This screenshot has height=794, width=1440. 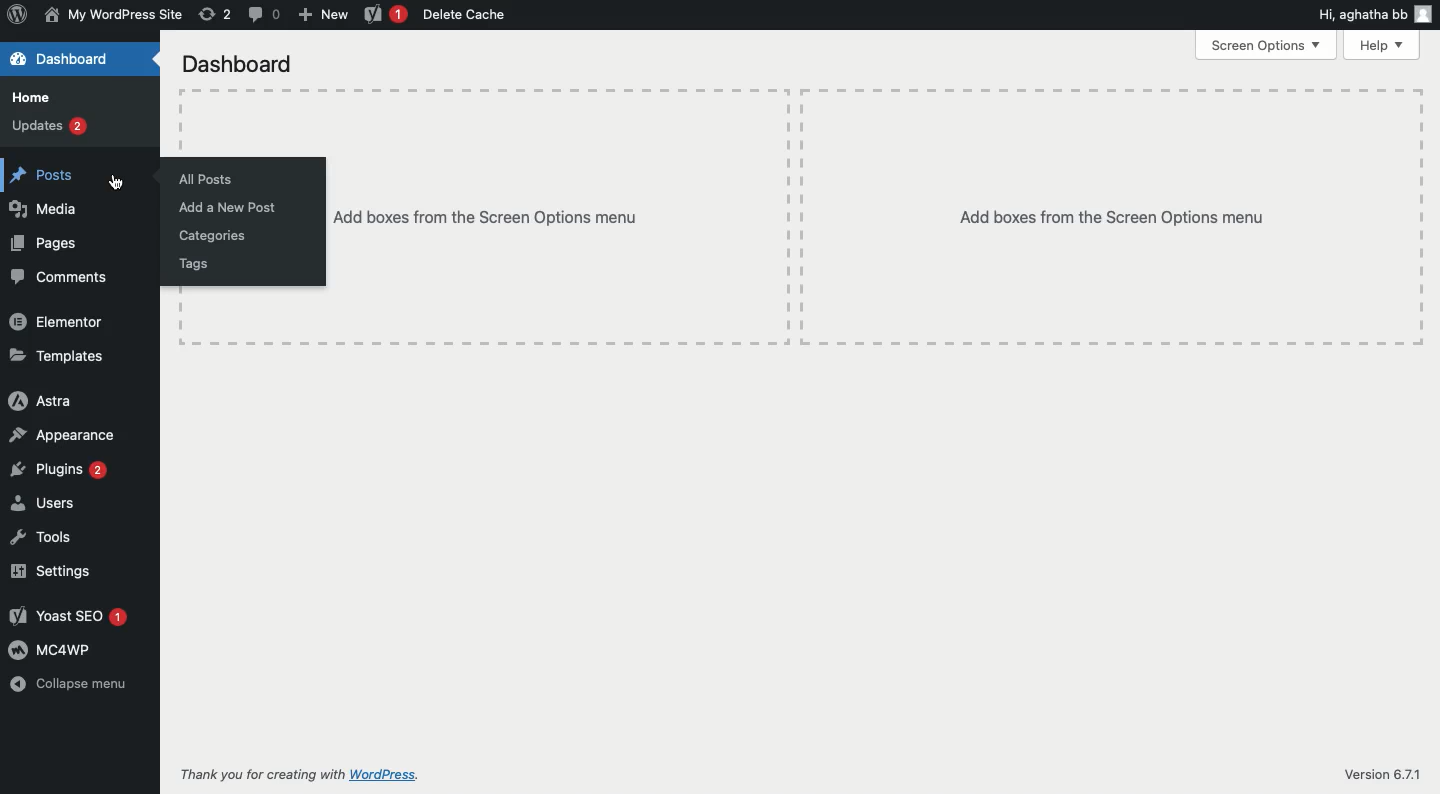 What do you see at coordinates (310, 775) in the screenshot?
I see `Thank you for creating with wordpress` at bounding box center [310, 775].